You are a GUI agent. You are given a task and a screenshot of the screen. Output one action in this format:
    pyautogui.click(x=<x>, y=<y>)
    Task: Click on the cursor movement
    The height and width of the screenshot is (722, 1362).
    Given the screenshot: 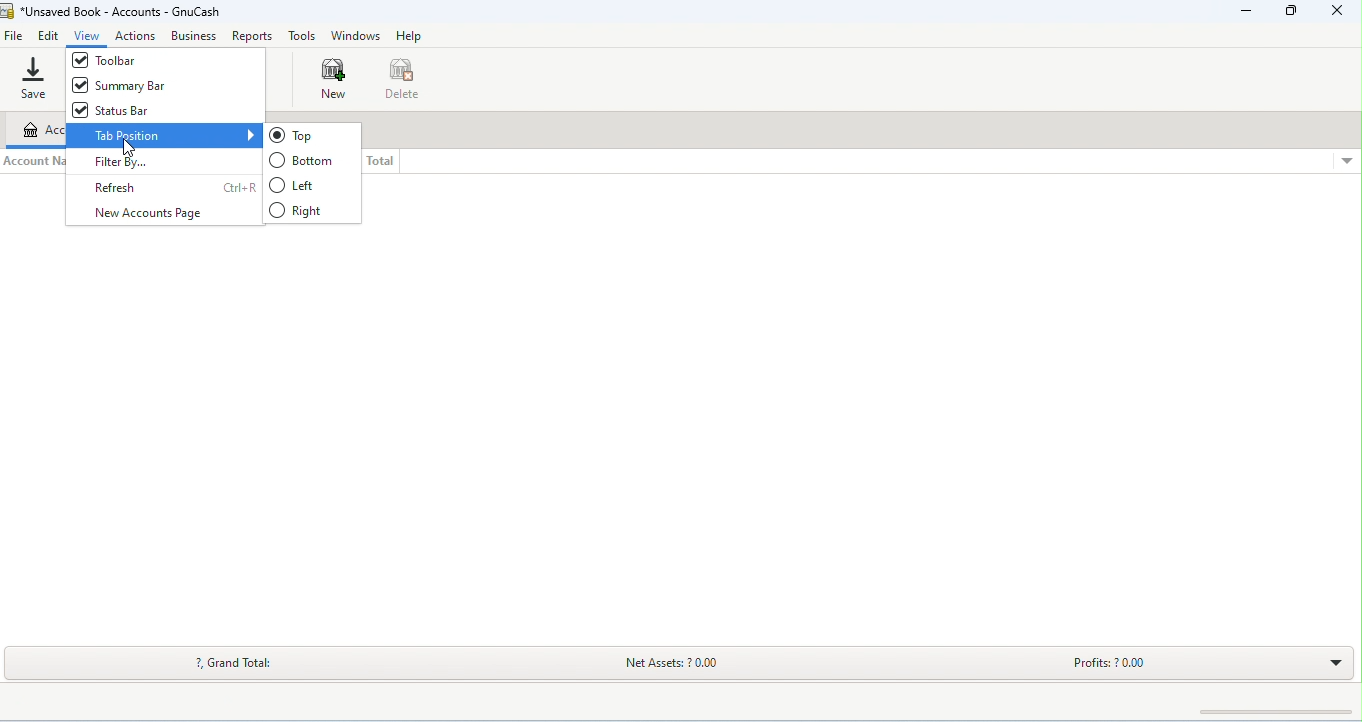 What is the action you would take?
    pyautogui.click(x=130, y=150)
    